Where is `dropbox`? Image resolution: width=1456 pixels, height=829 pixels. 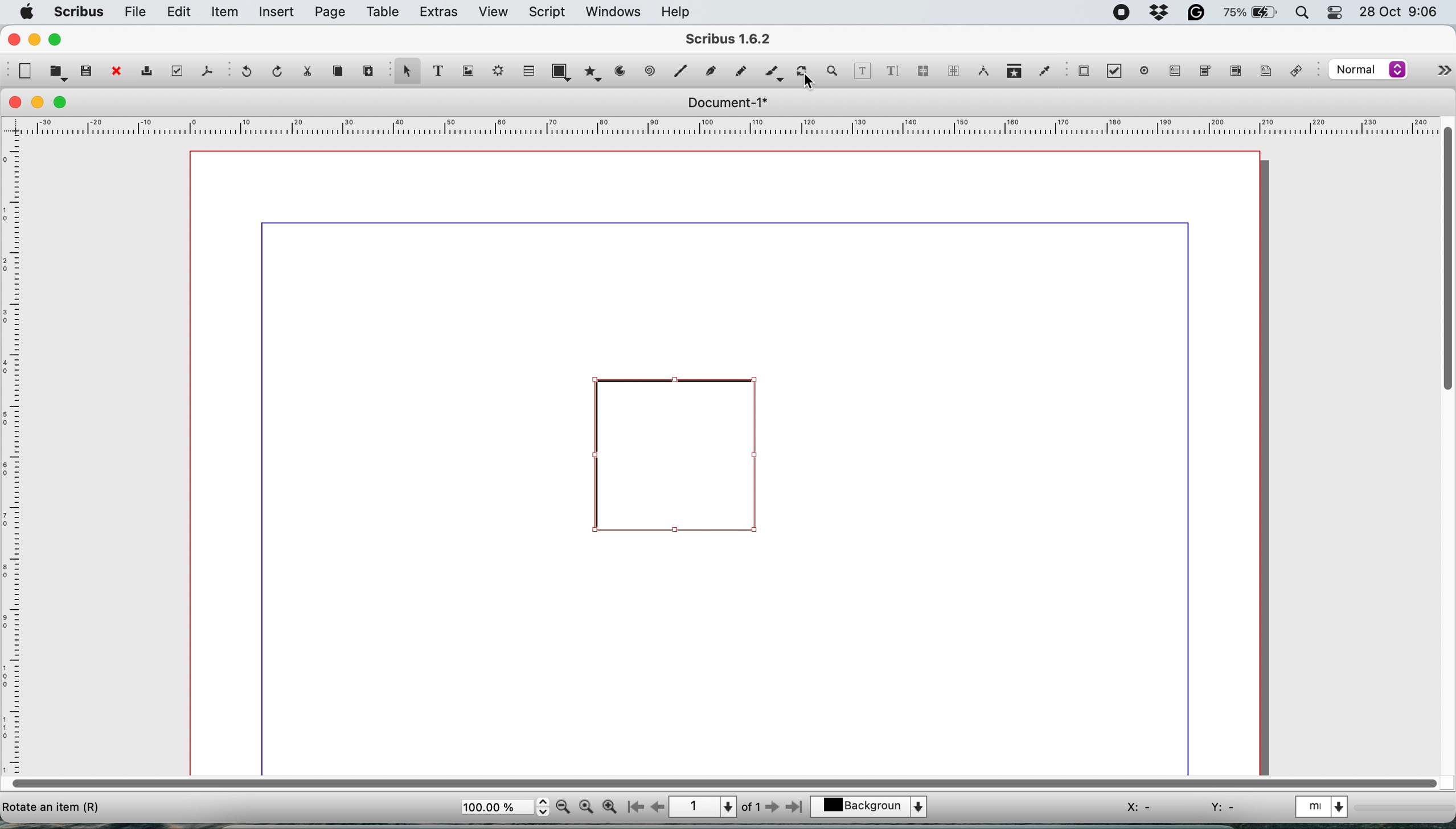
dropbox is located at coordinates (1160, 13).